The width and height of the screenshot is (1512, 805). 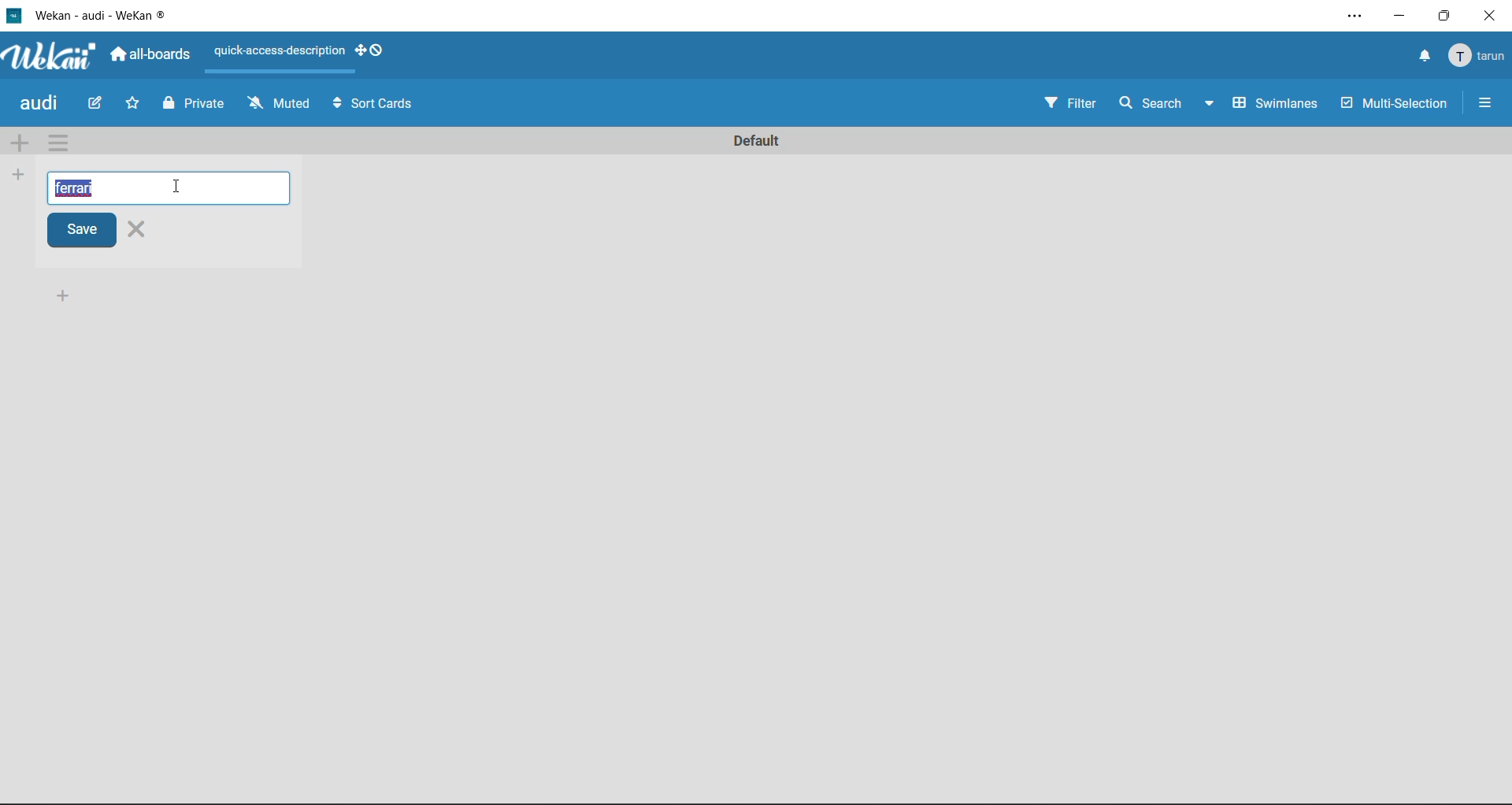 I want to click on , so click(x=1351, y=16).